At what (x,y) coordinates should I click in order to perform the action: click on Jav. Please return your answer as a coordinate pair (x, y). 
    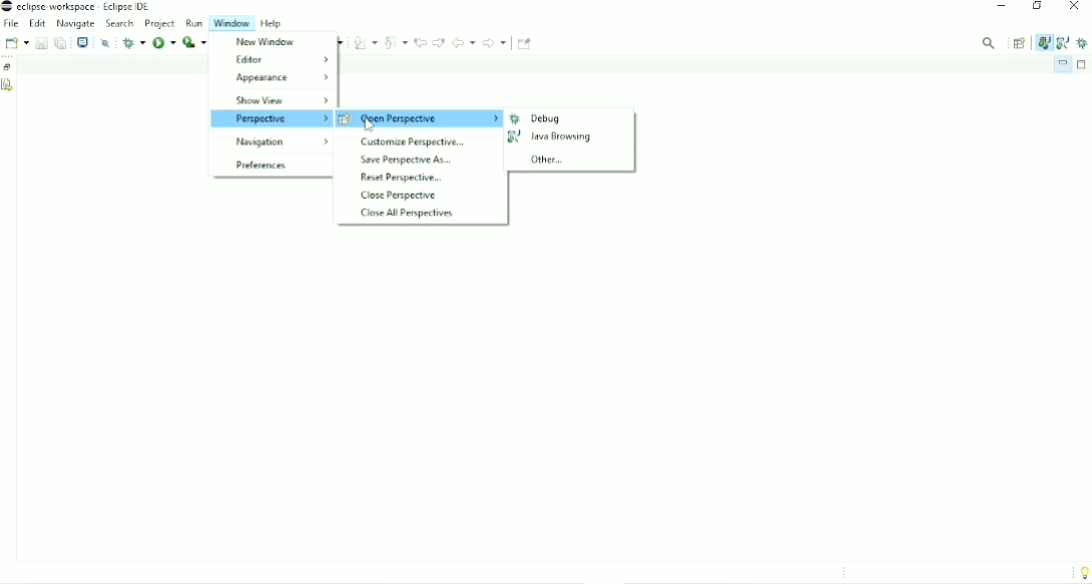
    Looking at the image, I should click on (1043, 44).